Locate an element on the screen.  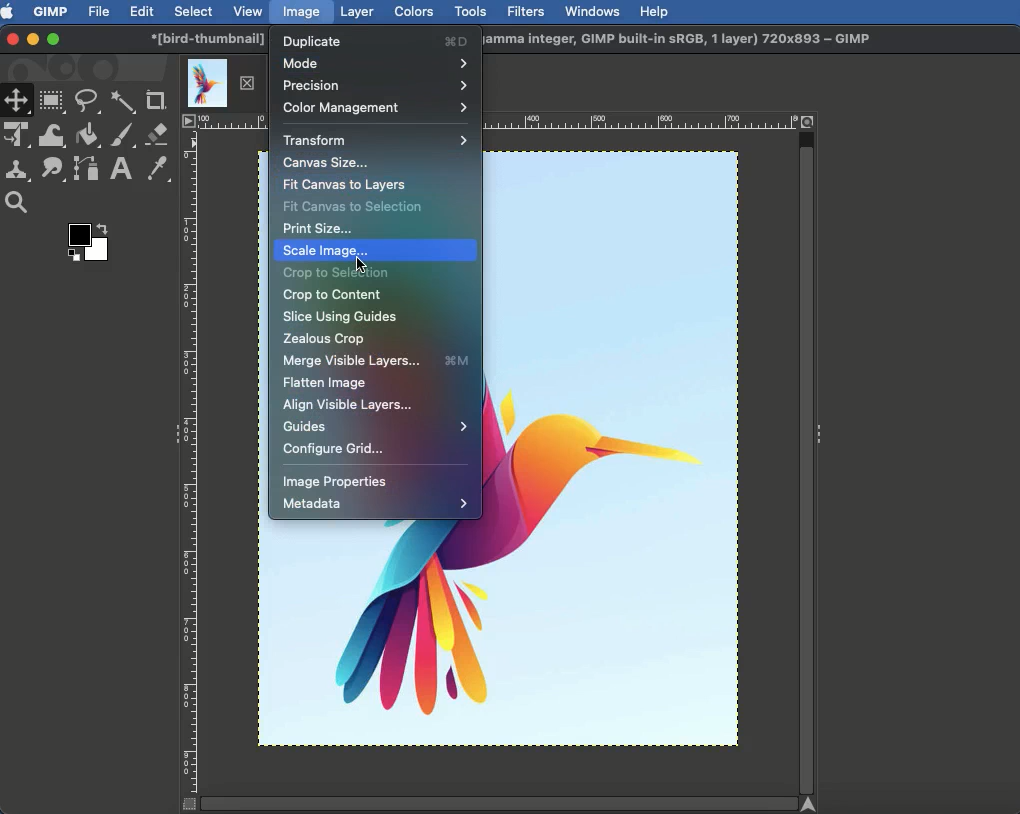
Scroll is located at coordinates (499, 804).